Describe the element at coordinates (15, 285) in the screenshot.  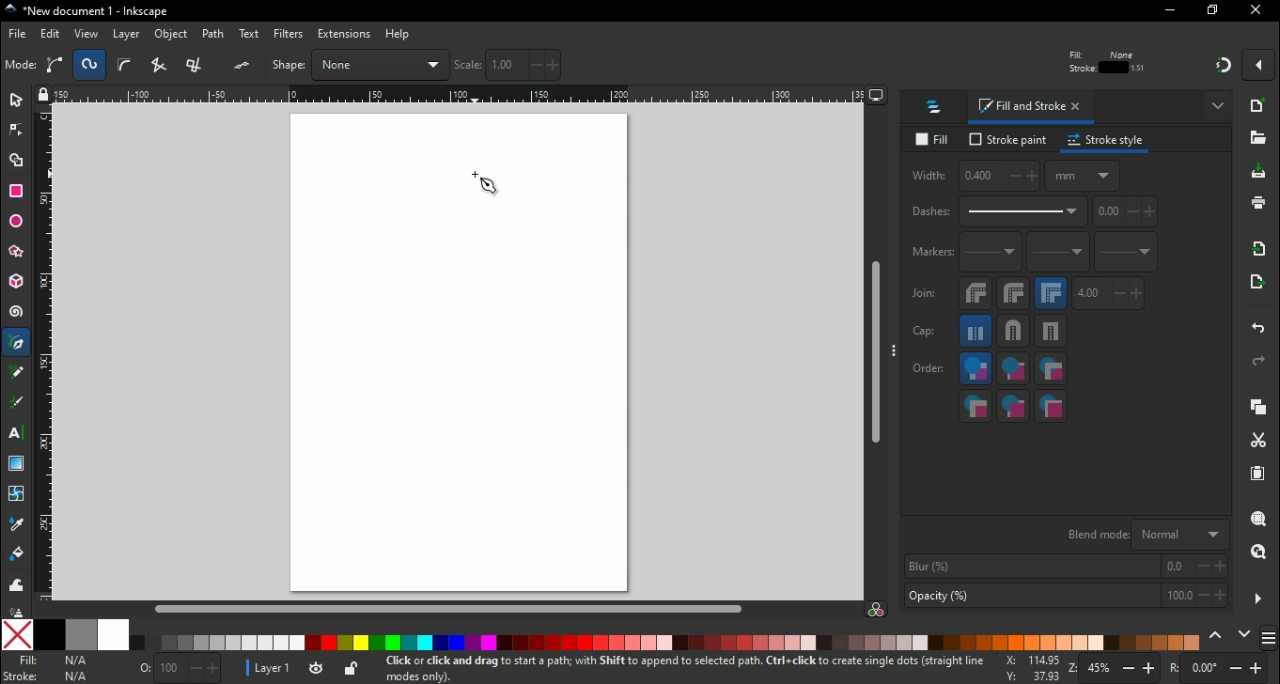
I see `3D box tool` at that location.